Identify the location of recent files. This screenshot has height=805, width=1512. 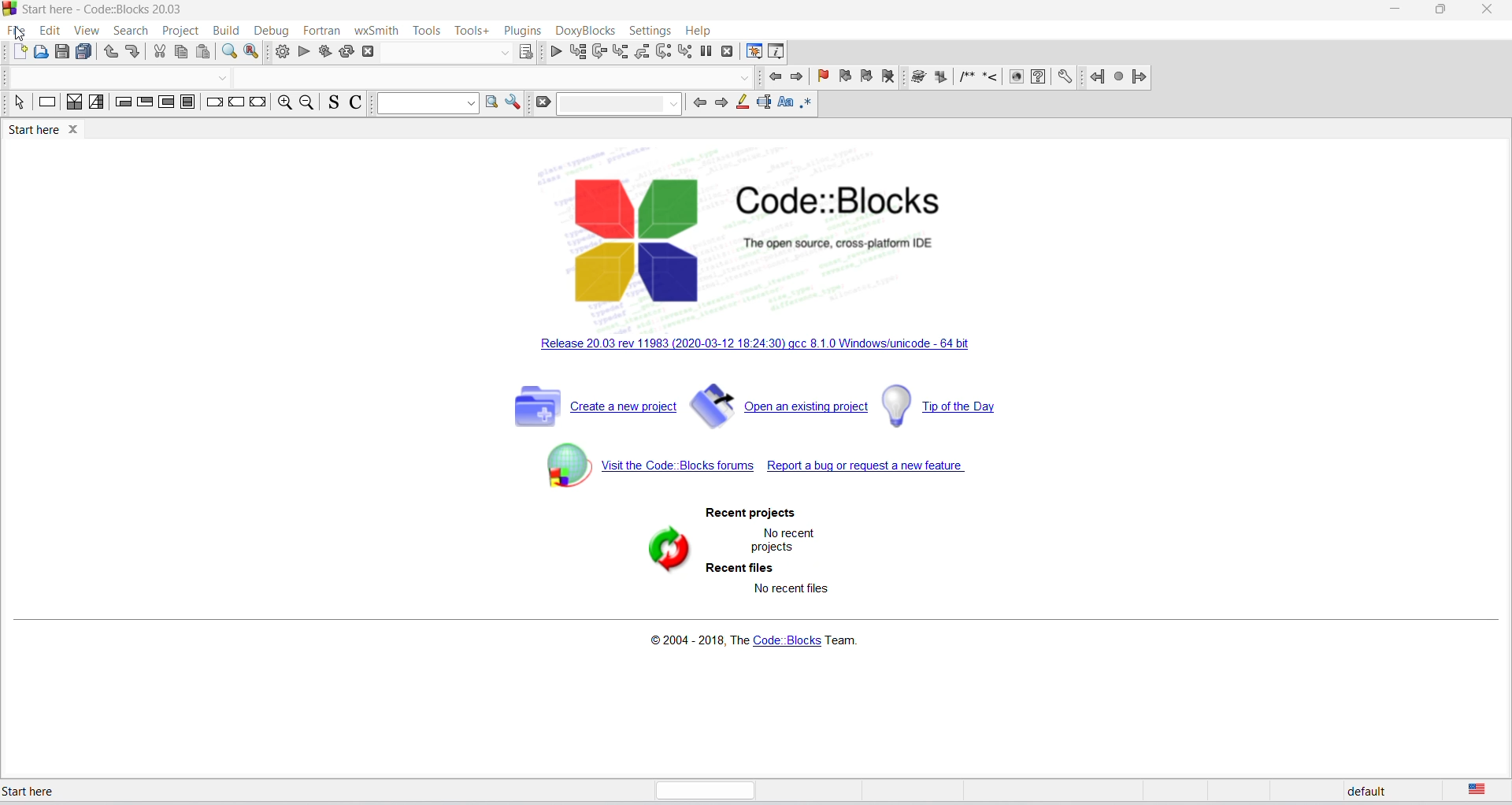
(741, 572).